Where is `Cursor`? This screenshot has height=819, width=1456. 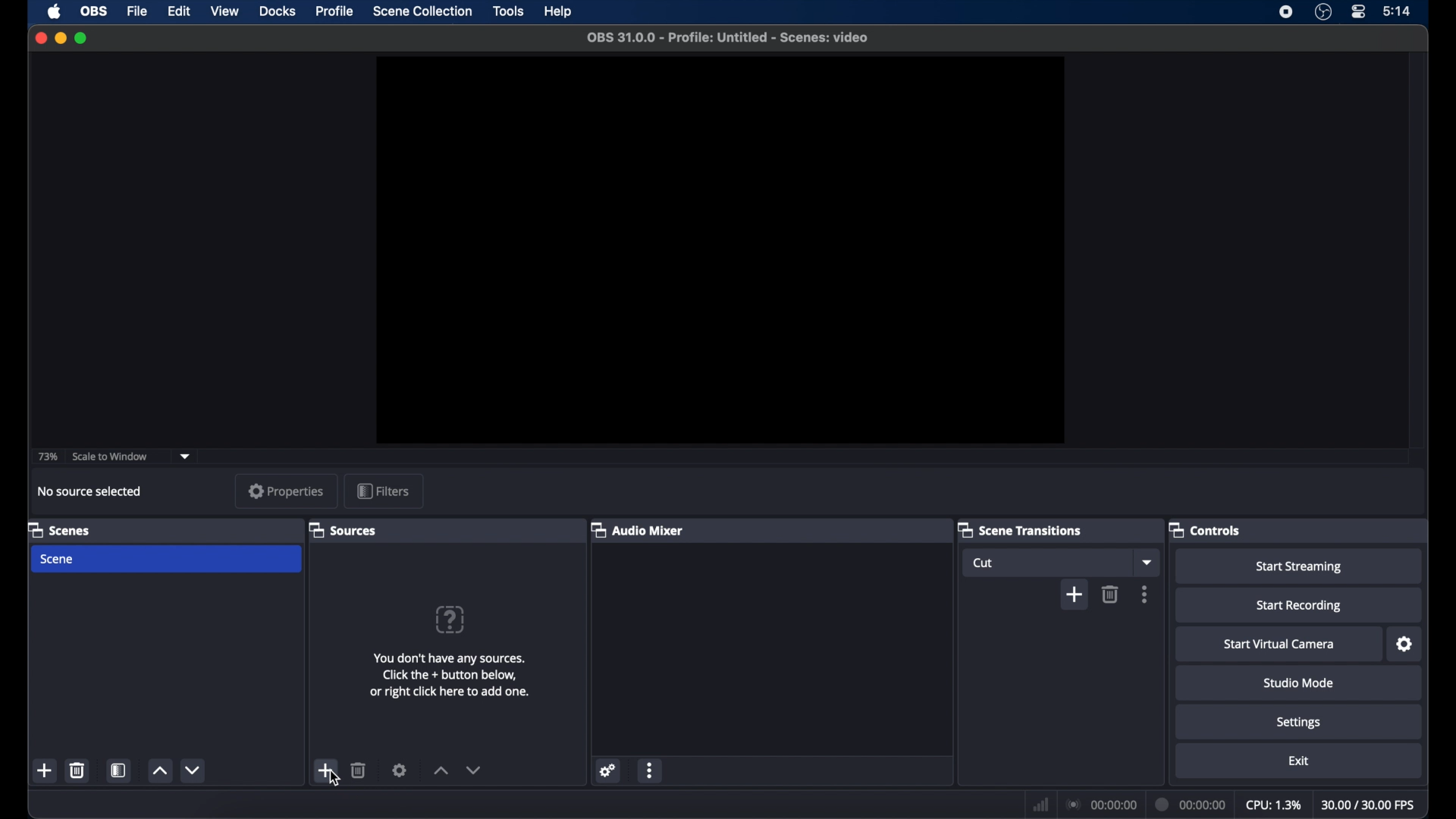
Cursor is located at coordinates (335, 781).